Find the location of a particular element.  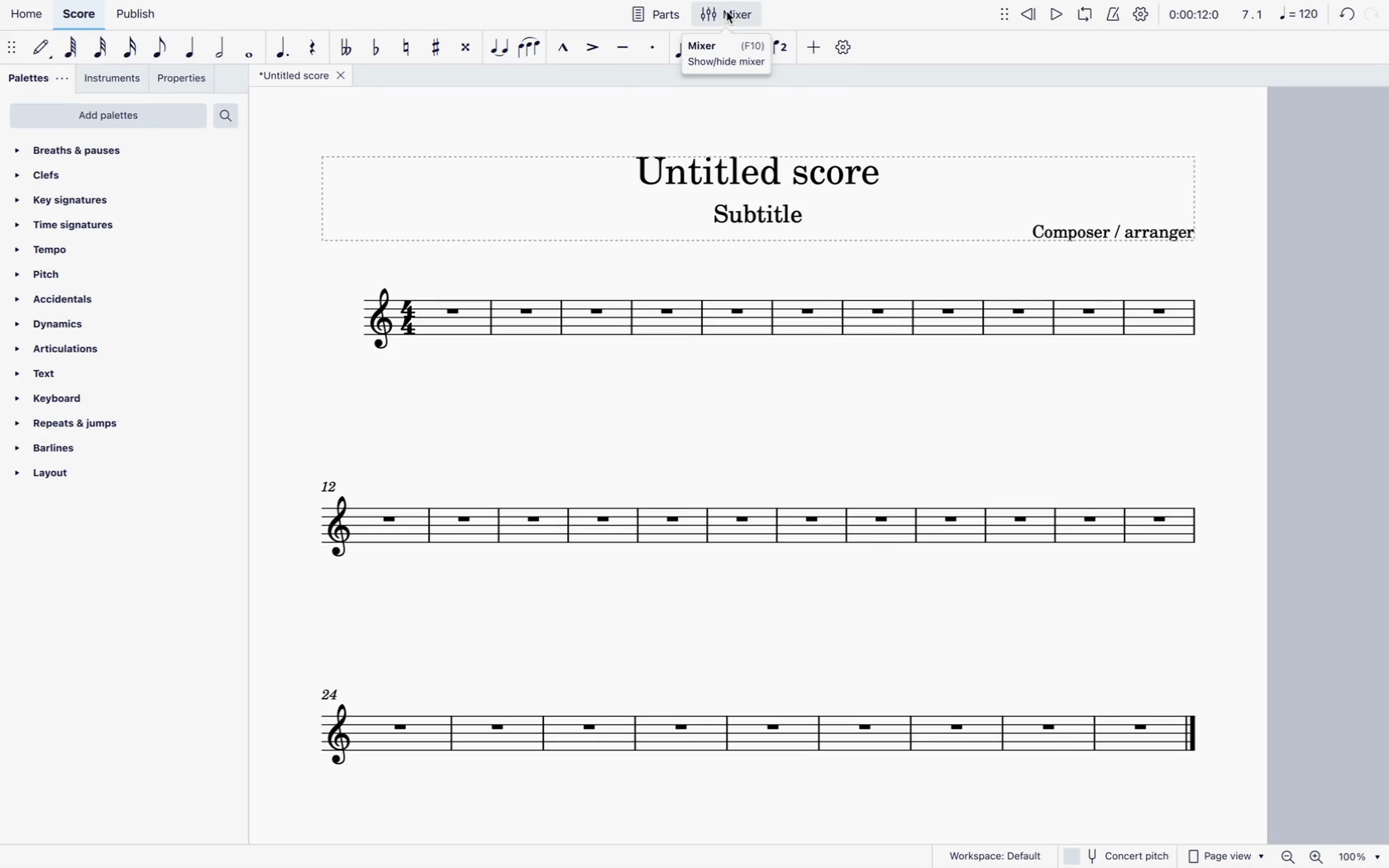

scale is located at coordinates (1277, 17).